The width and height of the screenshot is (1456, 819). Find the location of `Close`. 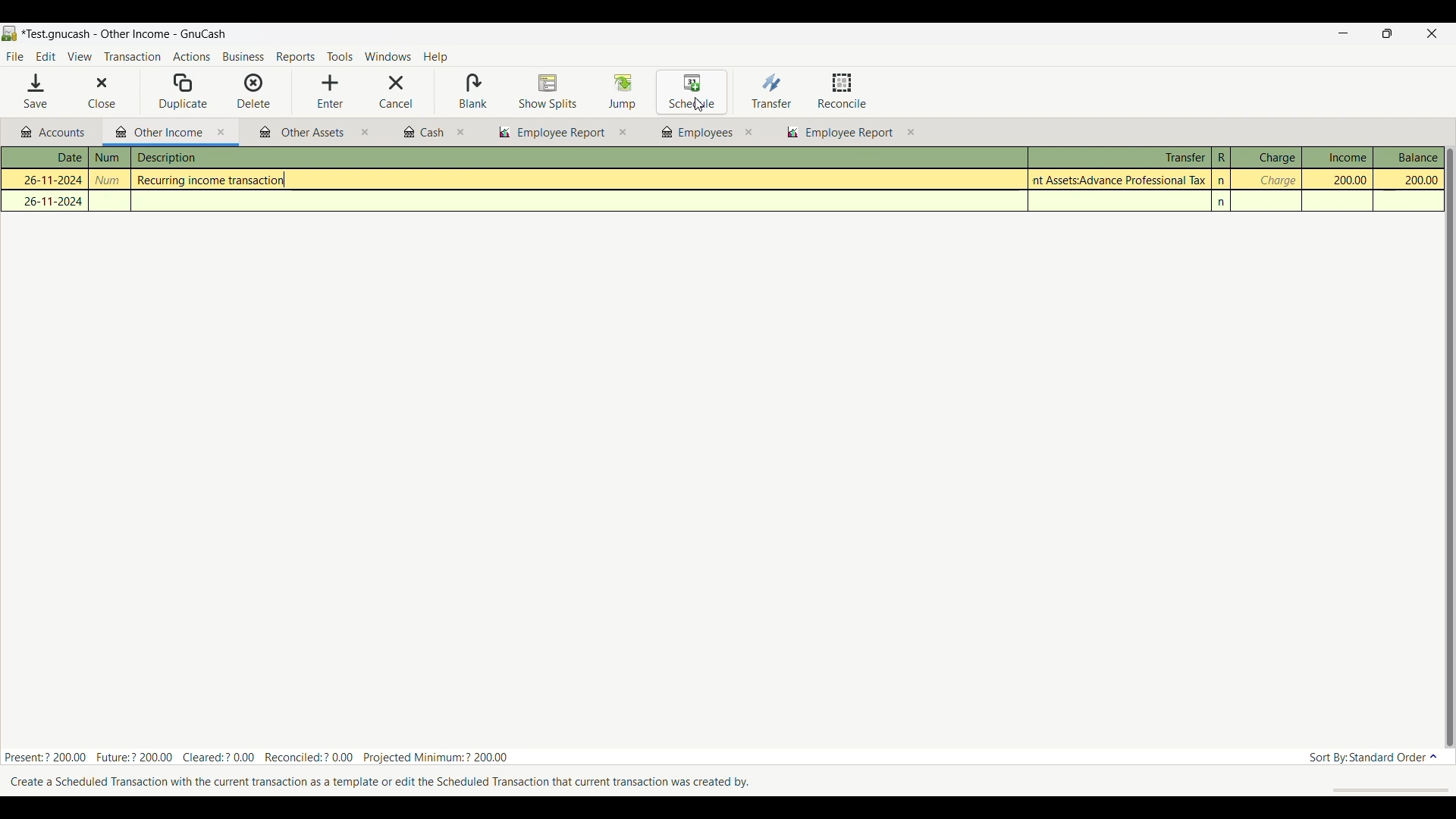

Close is located at coordinates (91, 93).